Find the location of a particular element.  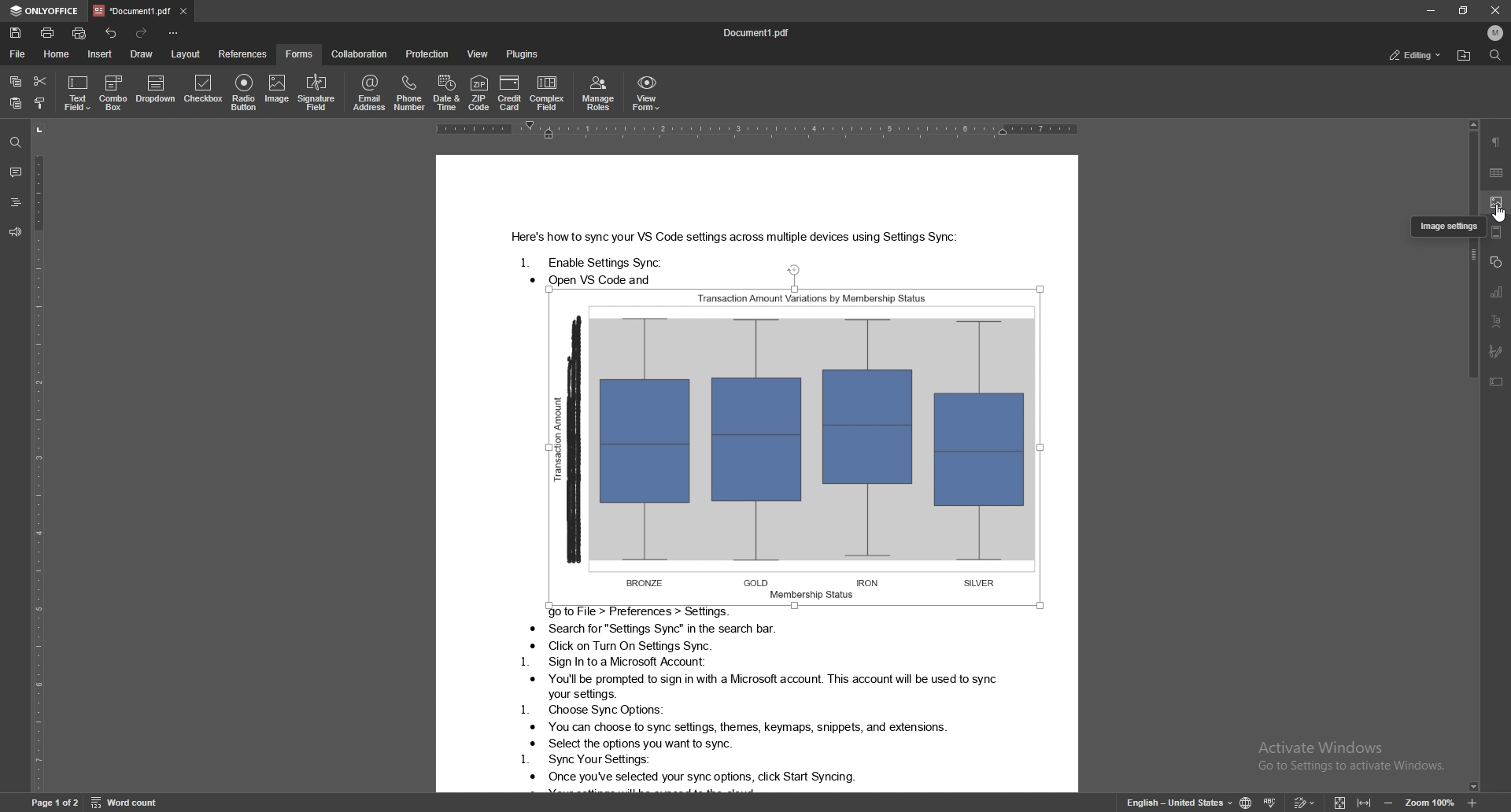

zoom is located at coordinates (1430, 802).